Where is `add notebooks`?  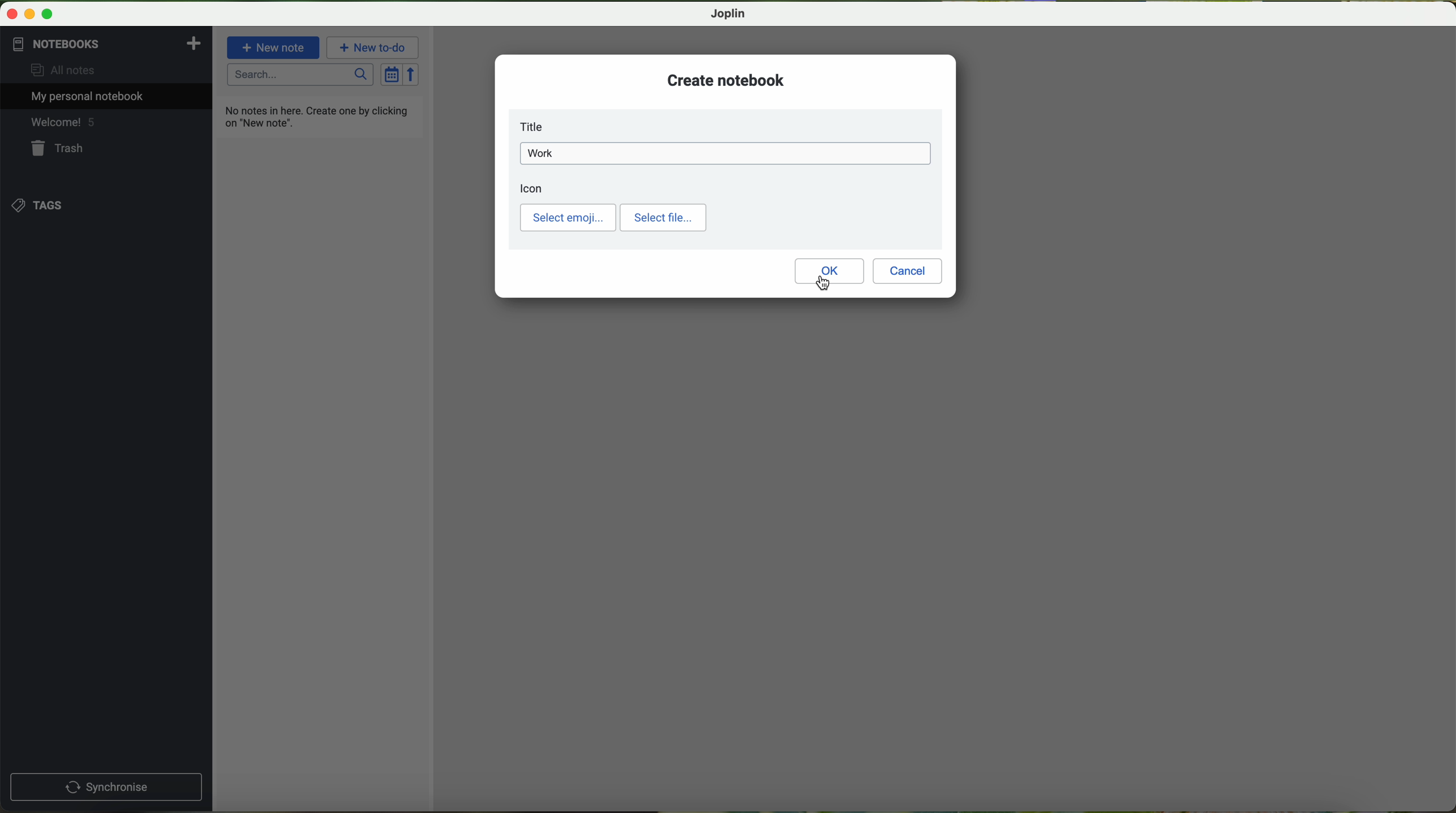
add notebooks is located at coordinates (192, 42).